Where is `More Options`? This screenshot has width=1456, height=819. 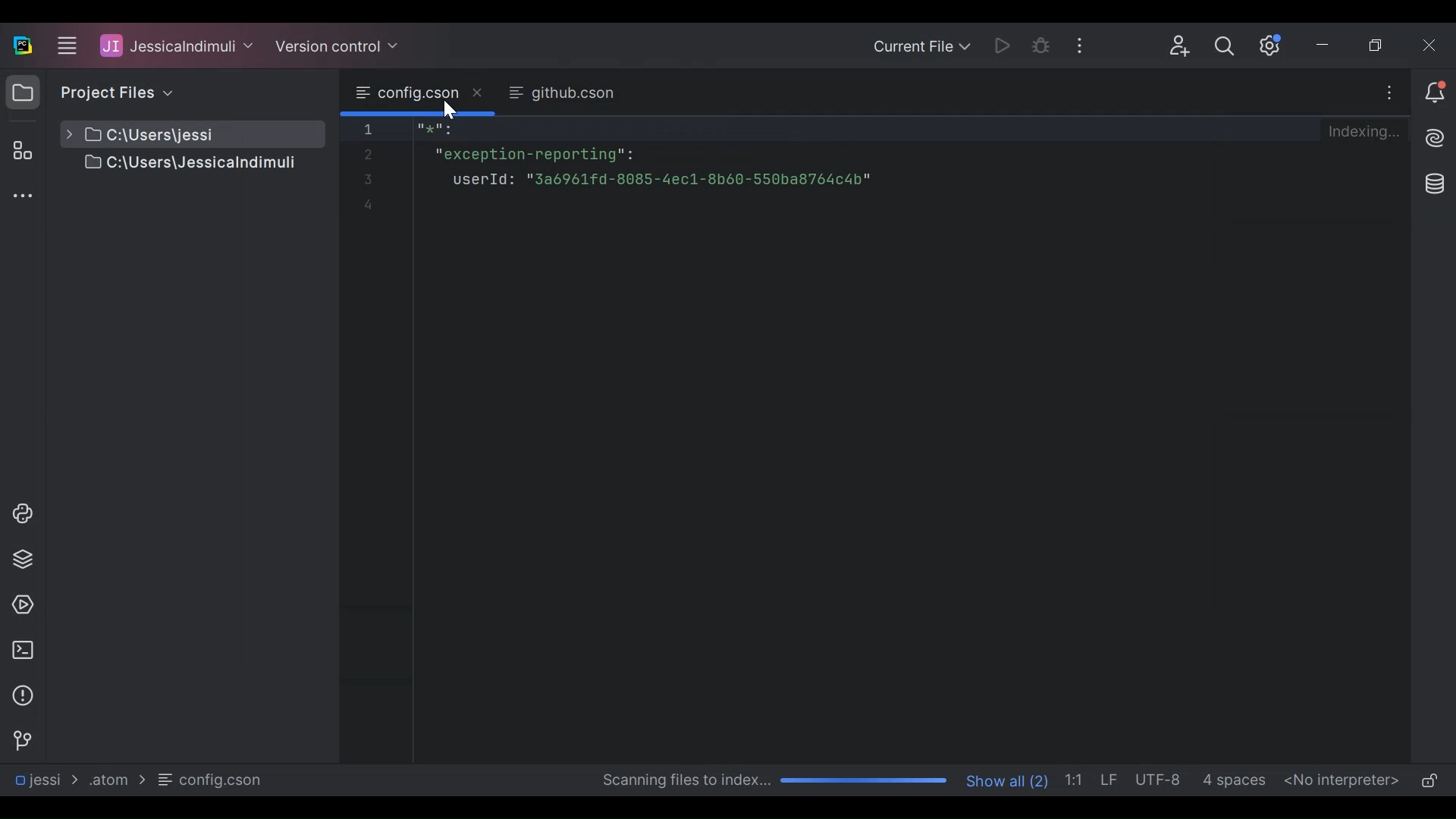
More Options is located at coordinates (1082, 45).